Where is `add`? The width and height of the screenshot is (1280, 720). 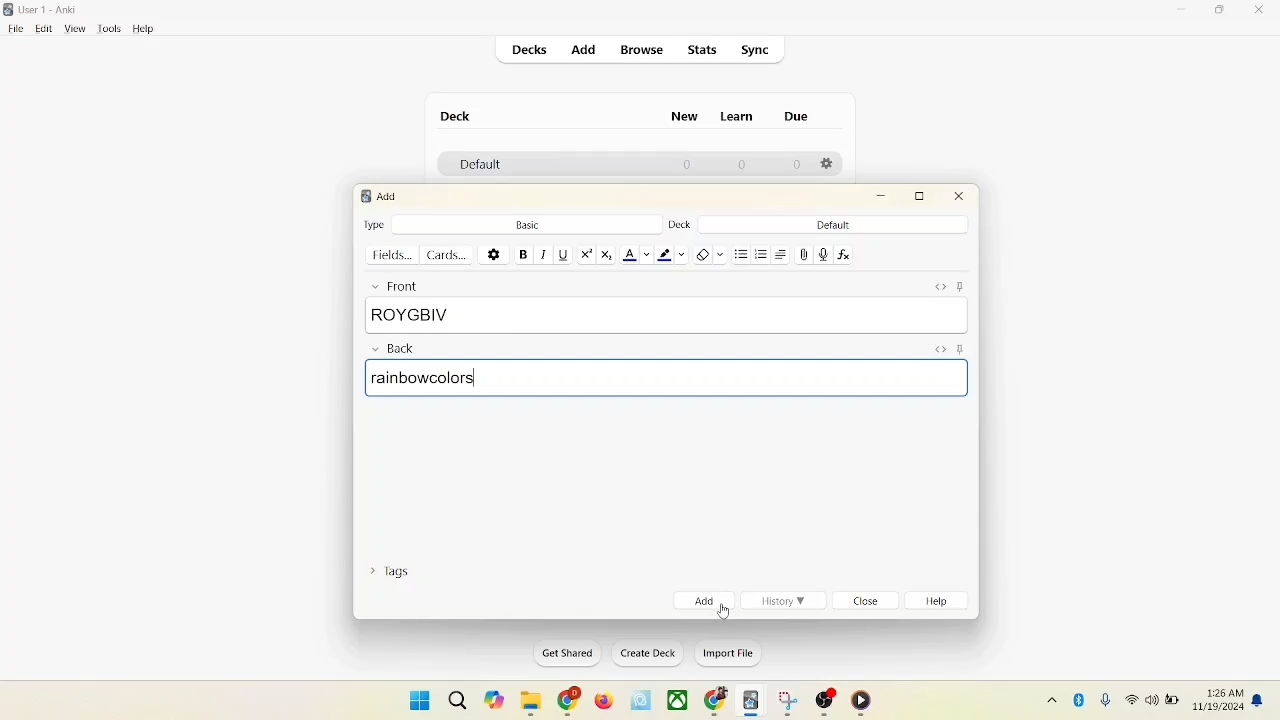 add is located at coordinates (582, 49).